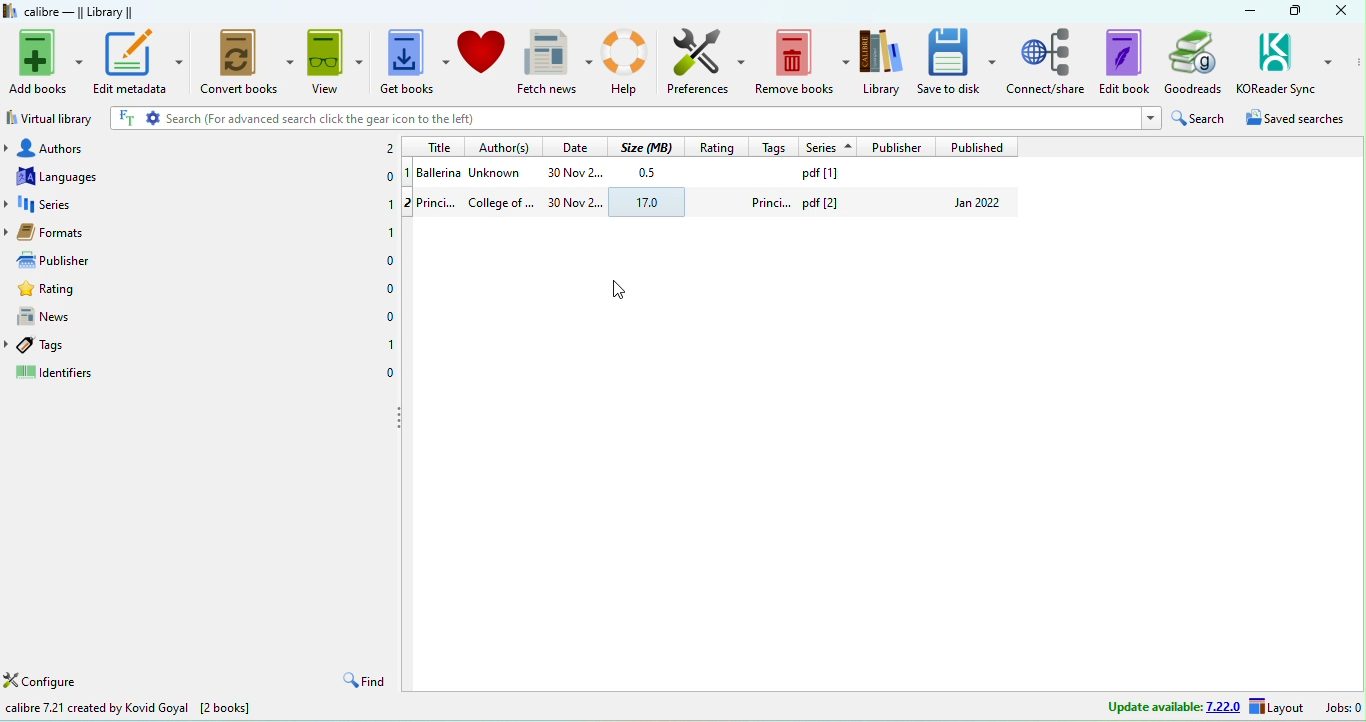 Image resolution: width=1366 pixels, height=722 pixels. What do you see at coordinates (777, 147) in the screenshot?
I see `tags` at bounding box center [777, 147].